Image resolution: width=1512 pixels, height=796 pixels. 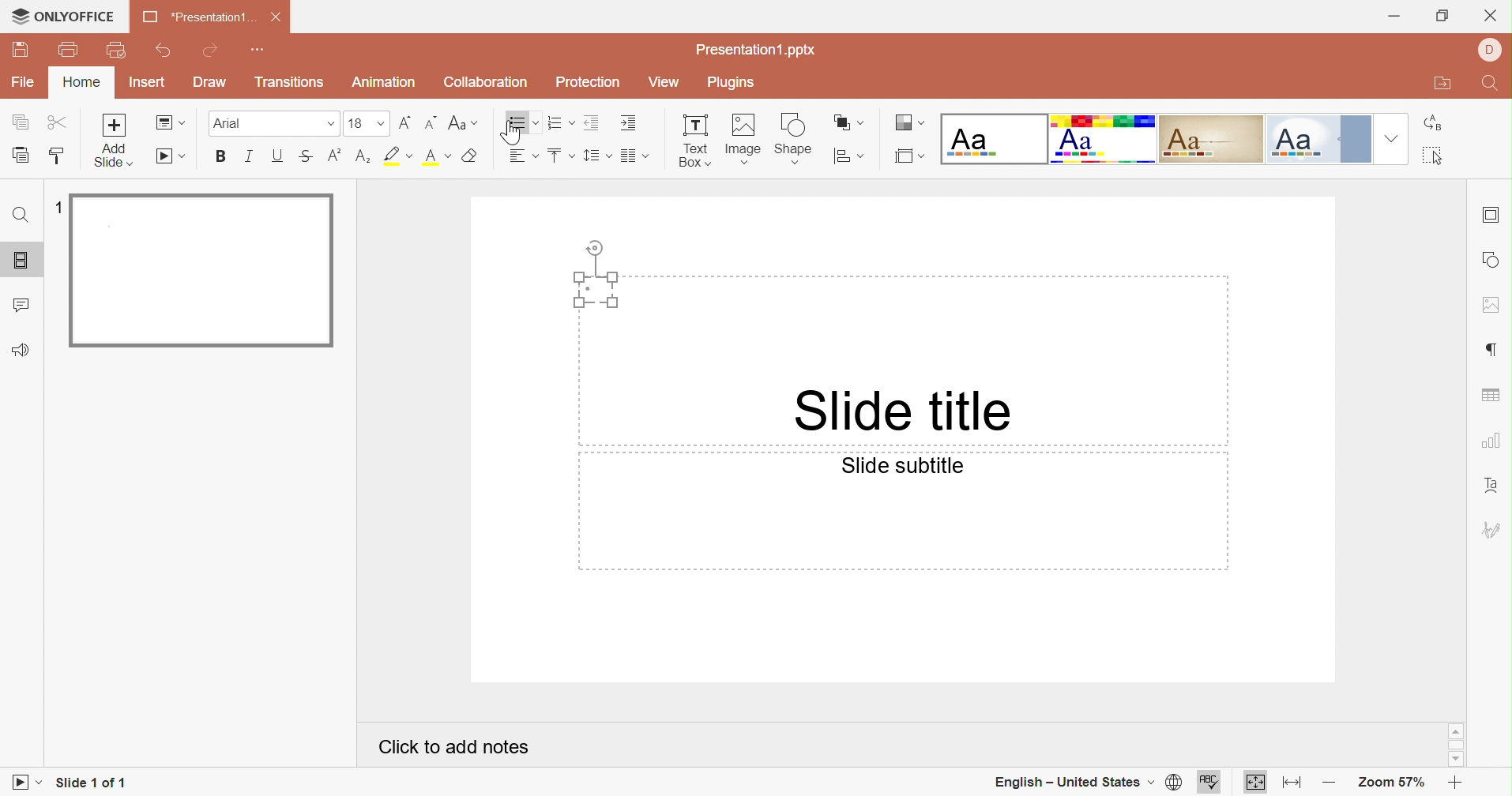 What do you see at coordinates (901, 467) in the screenshot?
I see `Slide subtitle` at bounding box center [901, 467].